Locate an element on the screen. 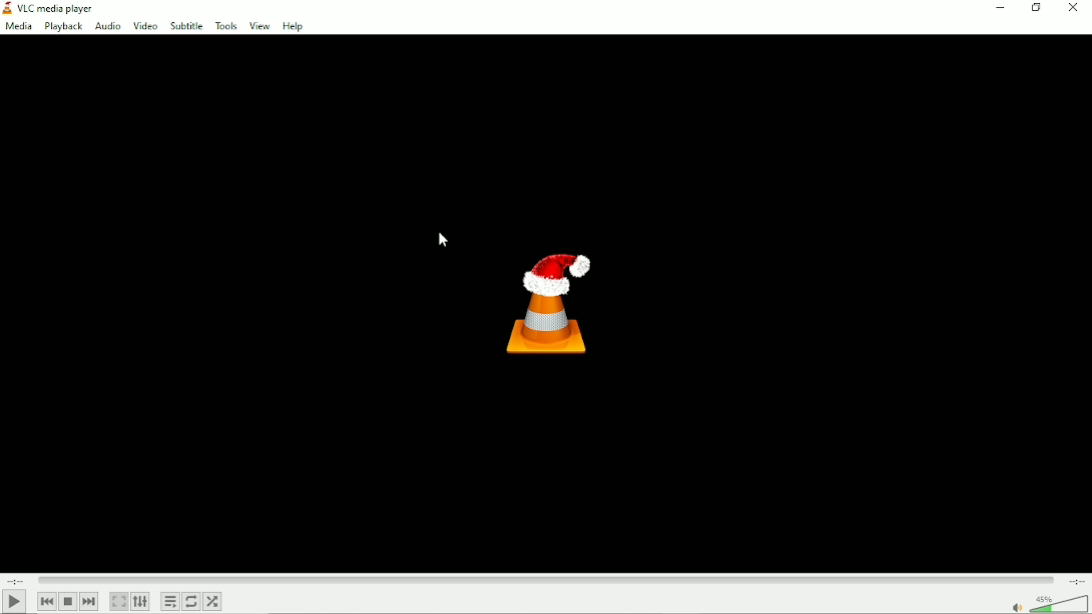 This screenshot has height=614, width=1092. Audio is located at coordinates (106, 26).